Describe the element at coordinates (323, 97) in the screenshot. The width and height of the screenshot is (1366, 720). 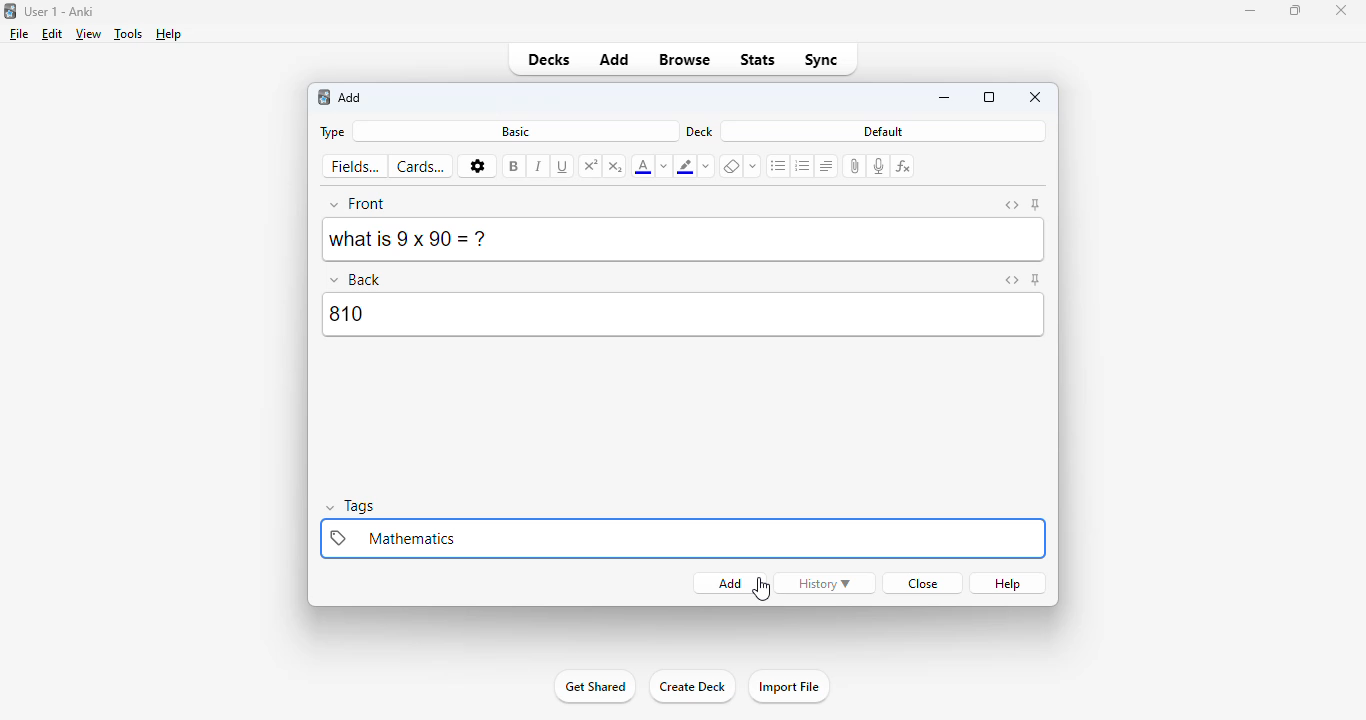
I see `logo` at that location.